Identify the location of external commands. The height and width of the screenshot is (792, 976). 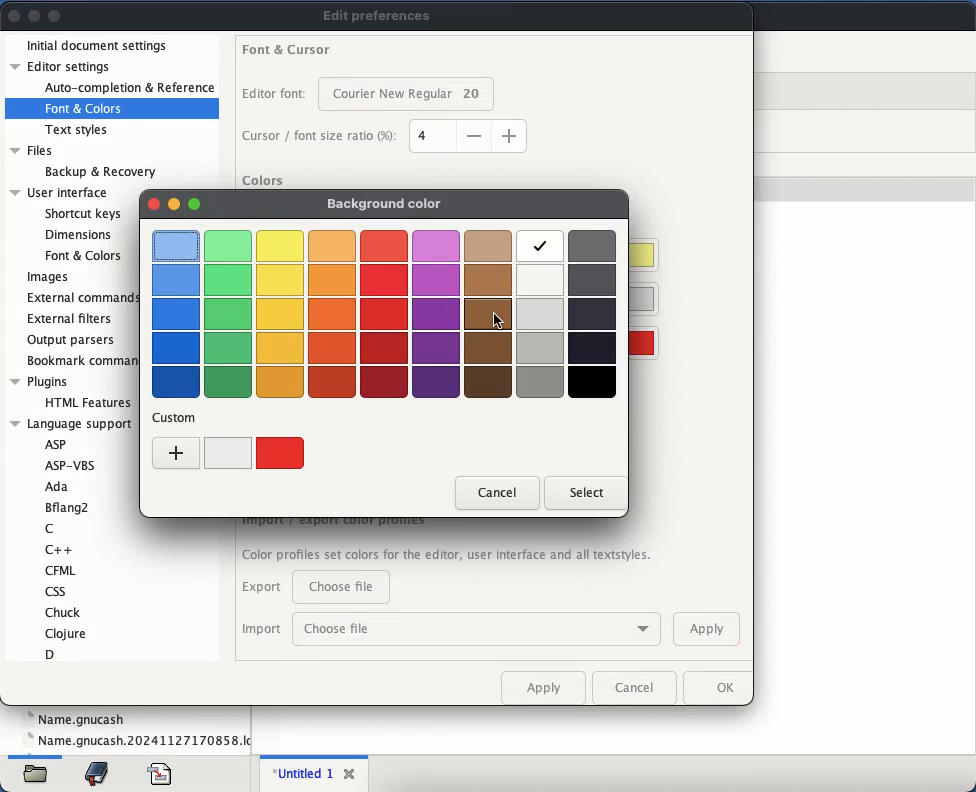
(80, 297).